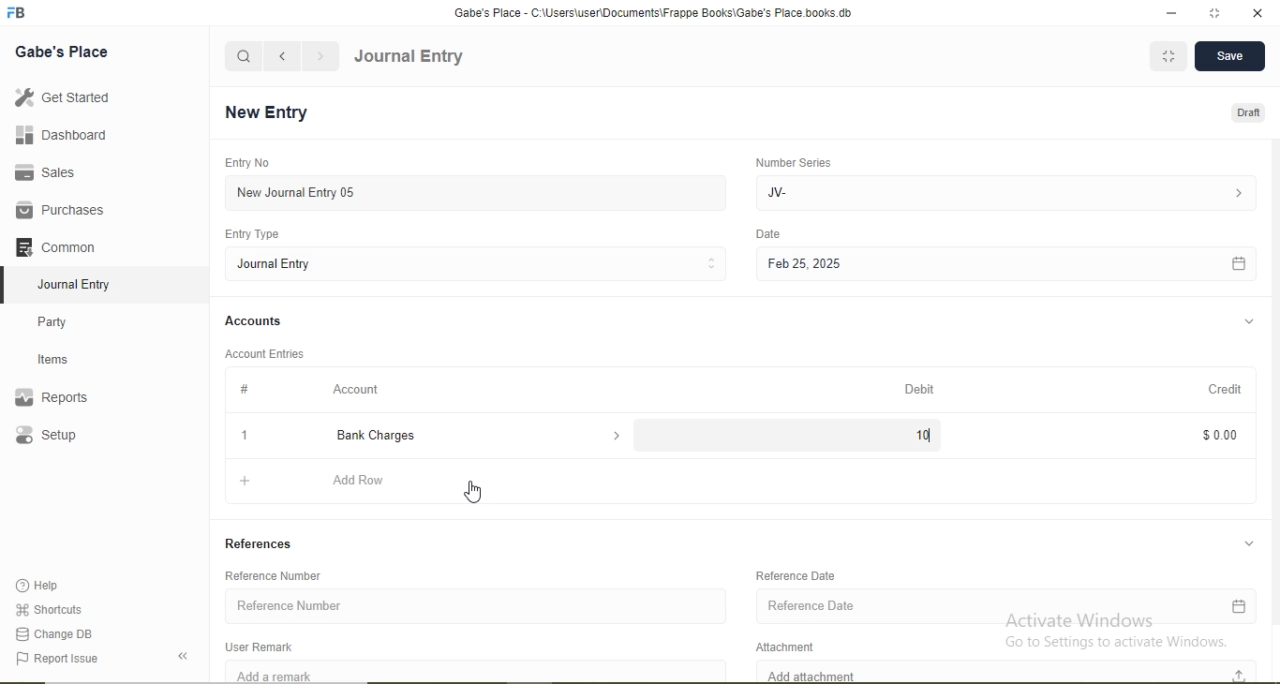 This screenshot has width=1280, height=684. Describe the element at coordinates (254, 321) in the screenshot. I see `Accounts.` at that location.